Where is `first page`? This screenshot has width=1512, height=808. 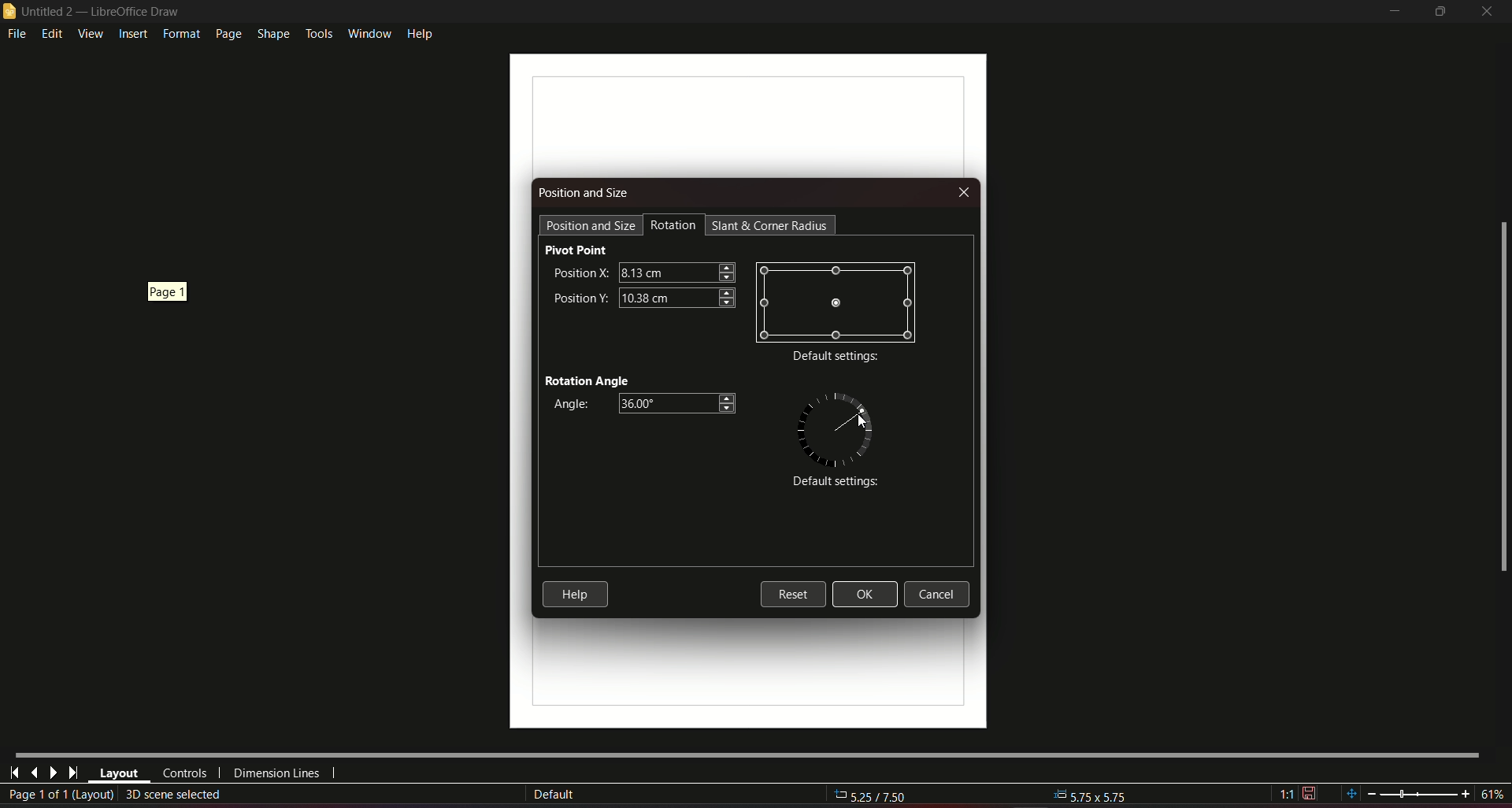 first page is located at coordinates (15, 771).